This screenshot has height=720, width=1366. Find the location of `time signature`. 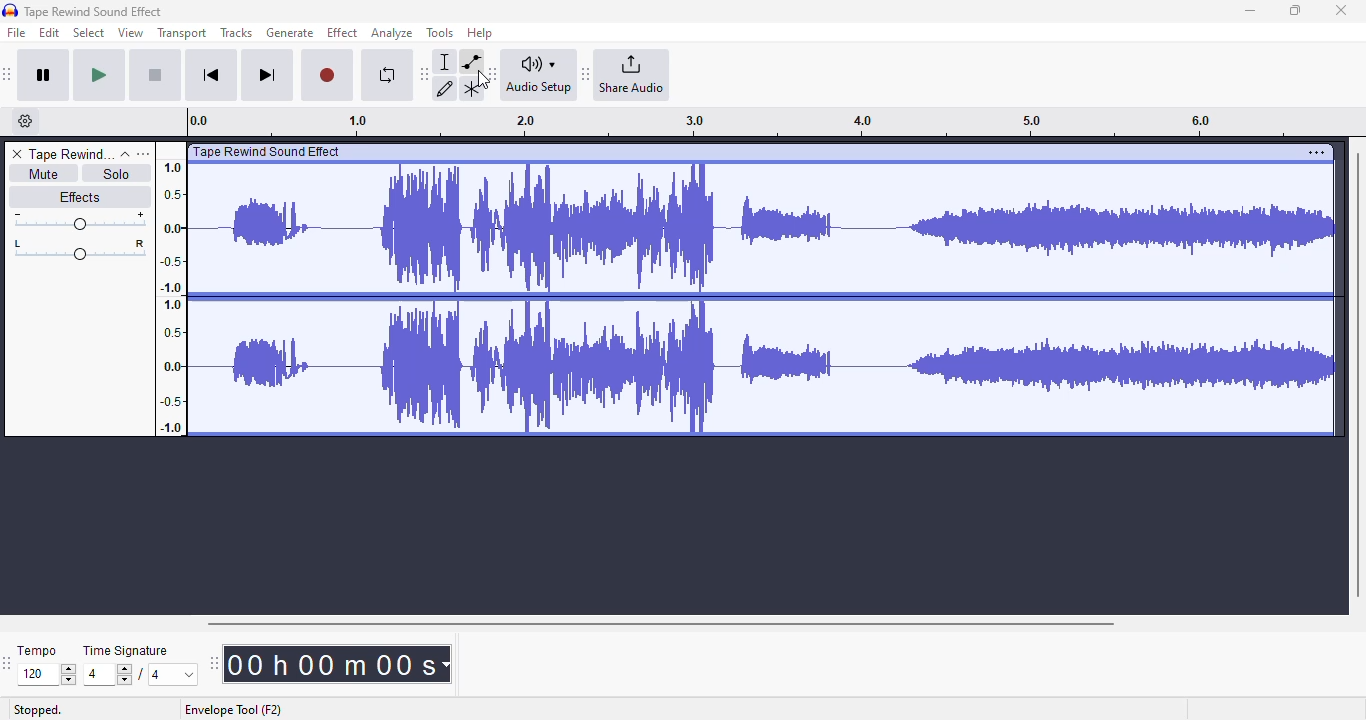

time signature is located at coordinates (126, 651).